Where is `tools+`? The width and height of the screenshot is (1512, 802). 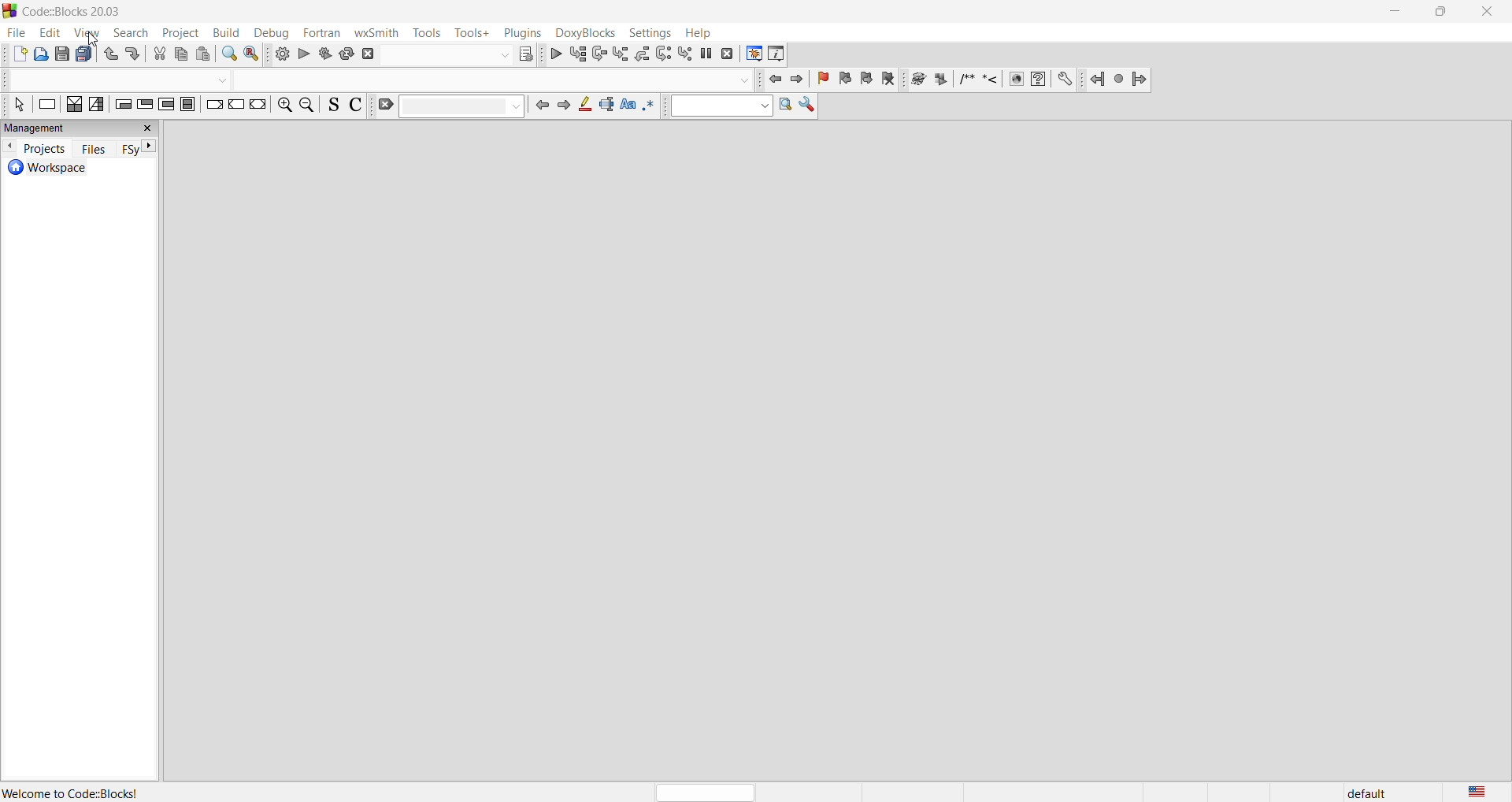 tools+ is located at coordinates (472, 32).